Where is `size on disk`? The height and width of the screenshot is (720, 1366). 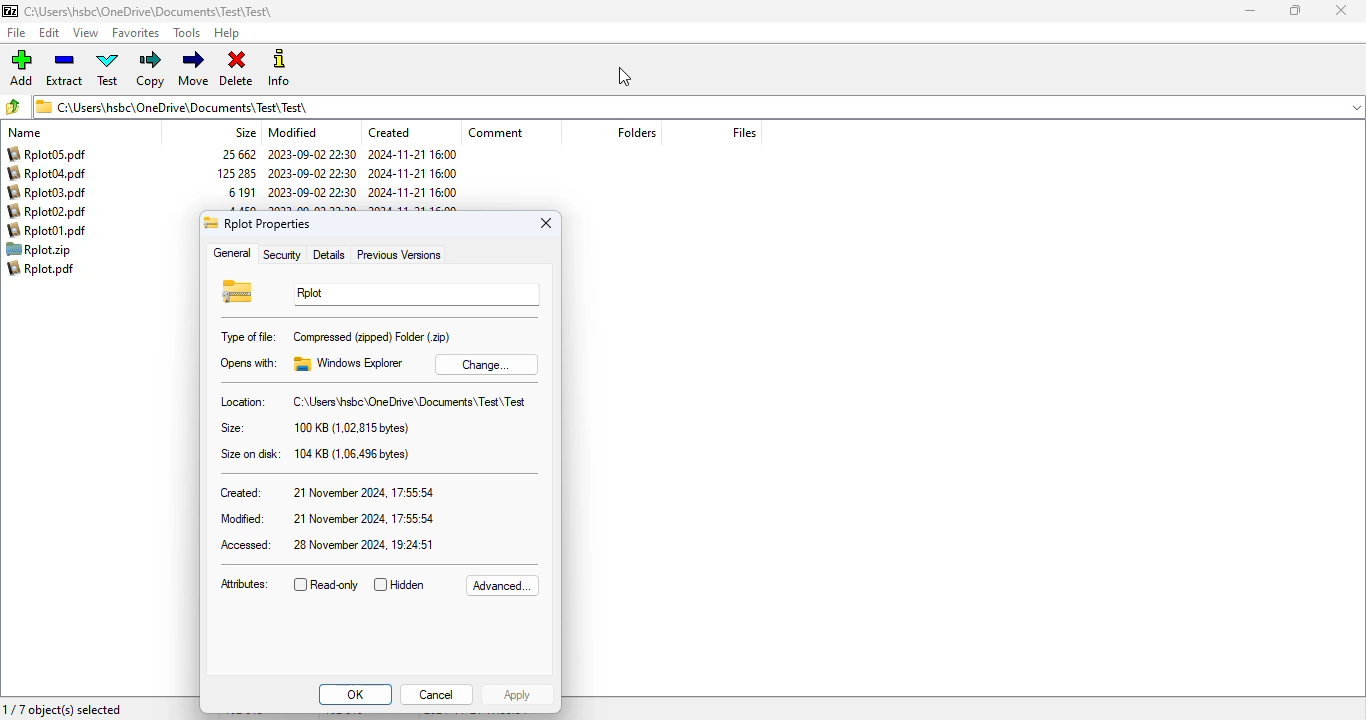
size on disk is located at coordinates (249, 454).